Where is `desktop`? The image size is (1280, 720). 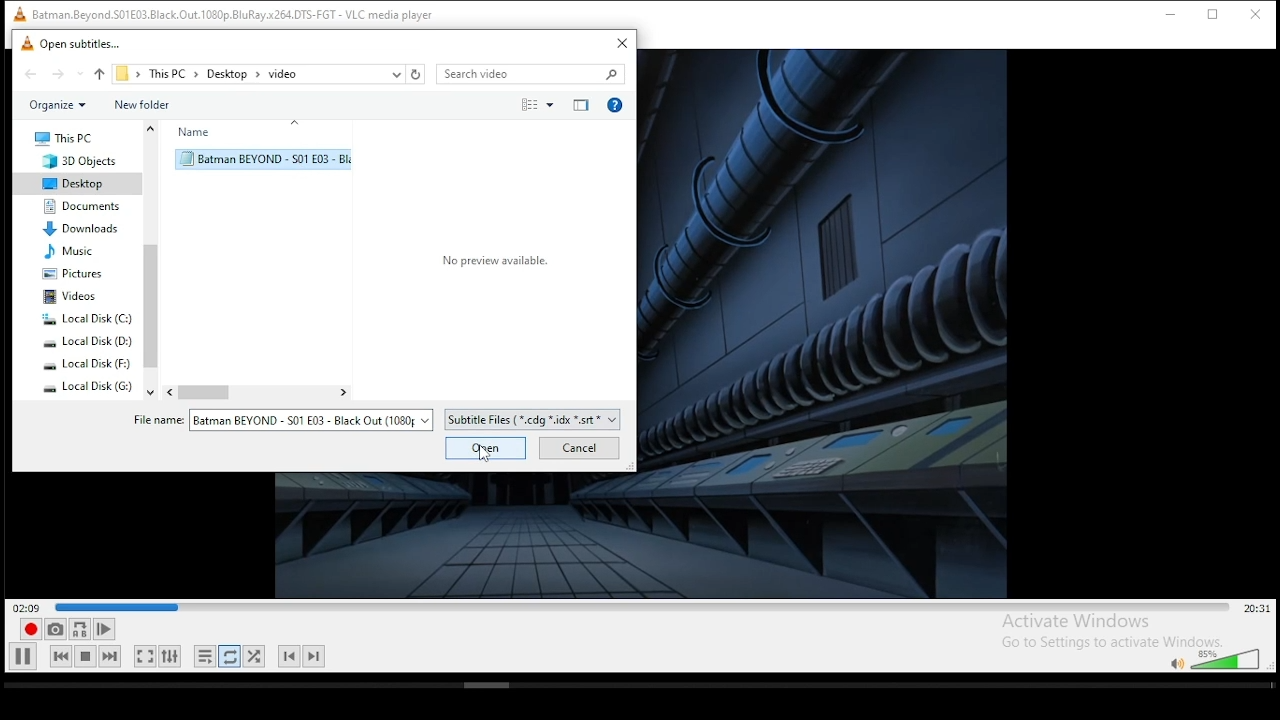
desktop is located at coordinates (83, 183).